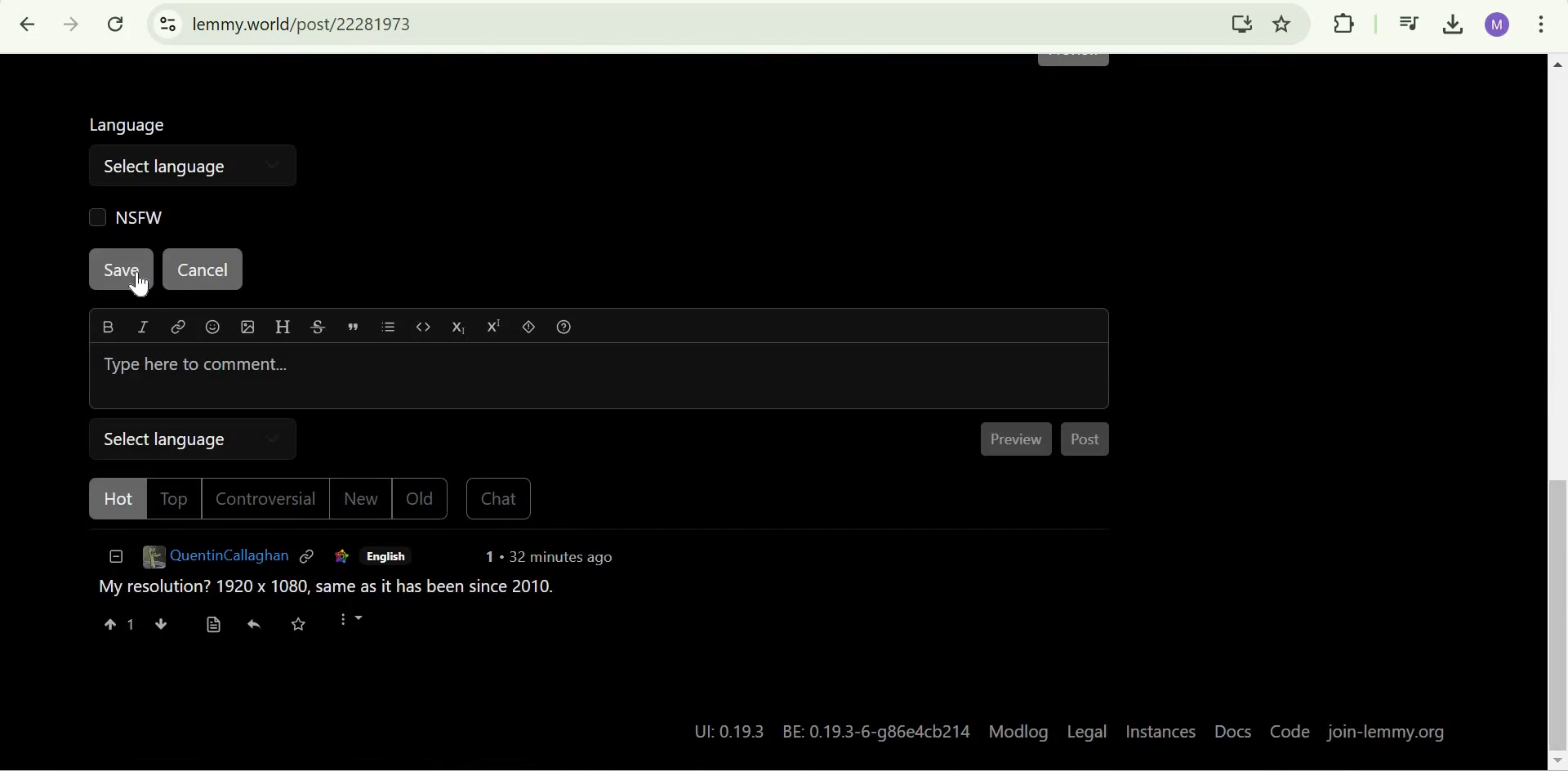 This screenshot has width=1568, height=771. I want to click on My resolution? 1920 x 1080, same as it has been since 2010., so click(325, 592).